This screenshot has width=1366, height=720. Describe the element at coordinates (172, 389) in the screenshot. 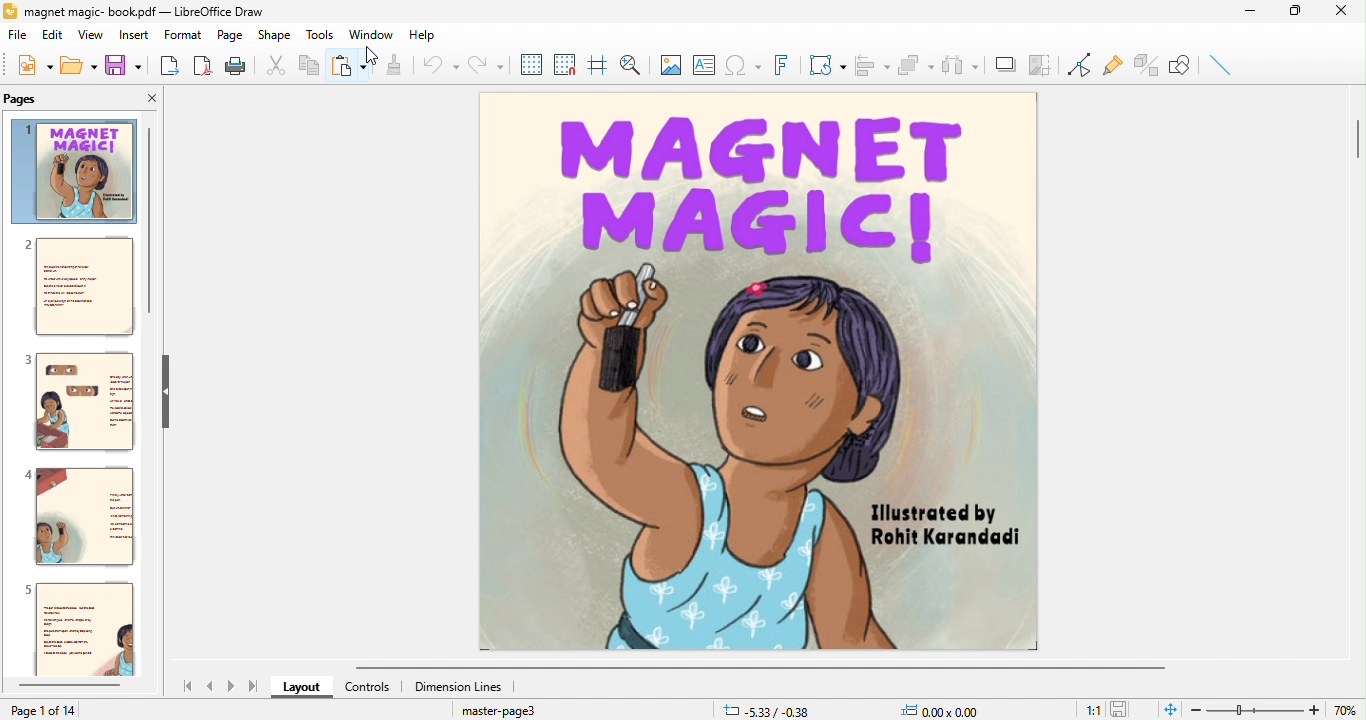

I see `Hide` at that location.